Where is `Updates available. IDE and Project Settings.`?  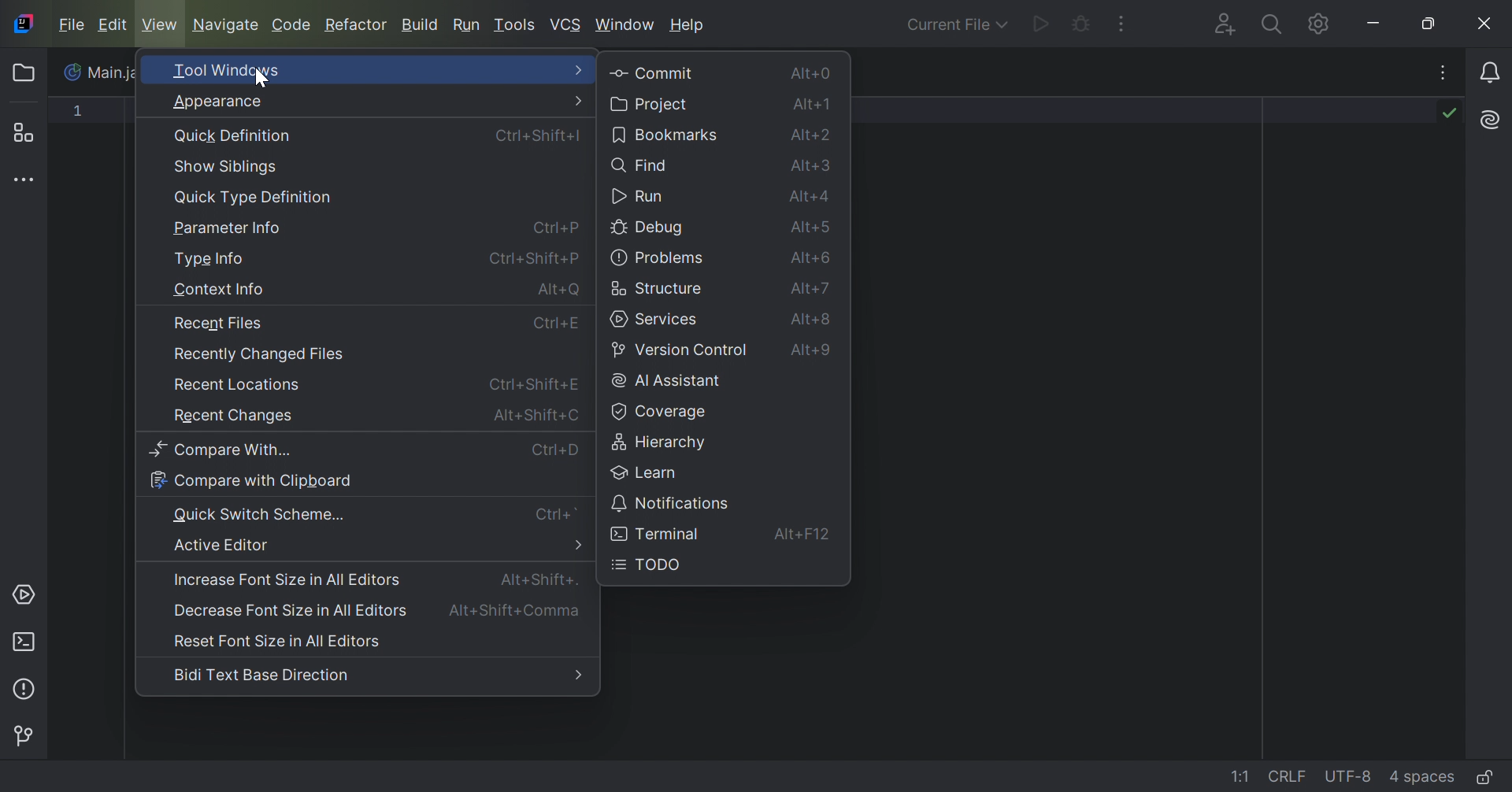 Updates available. IDE and Project Settings. is located at coordinates (1297, 24).